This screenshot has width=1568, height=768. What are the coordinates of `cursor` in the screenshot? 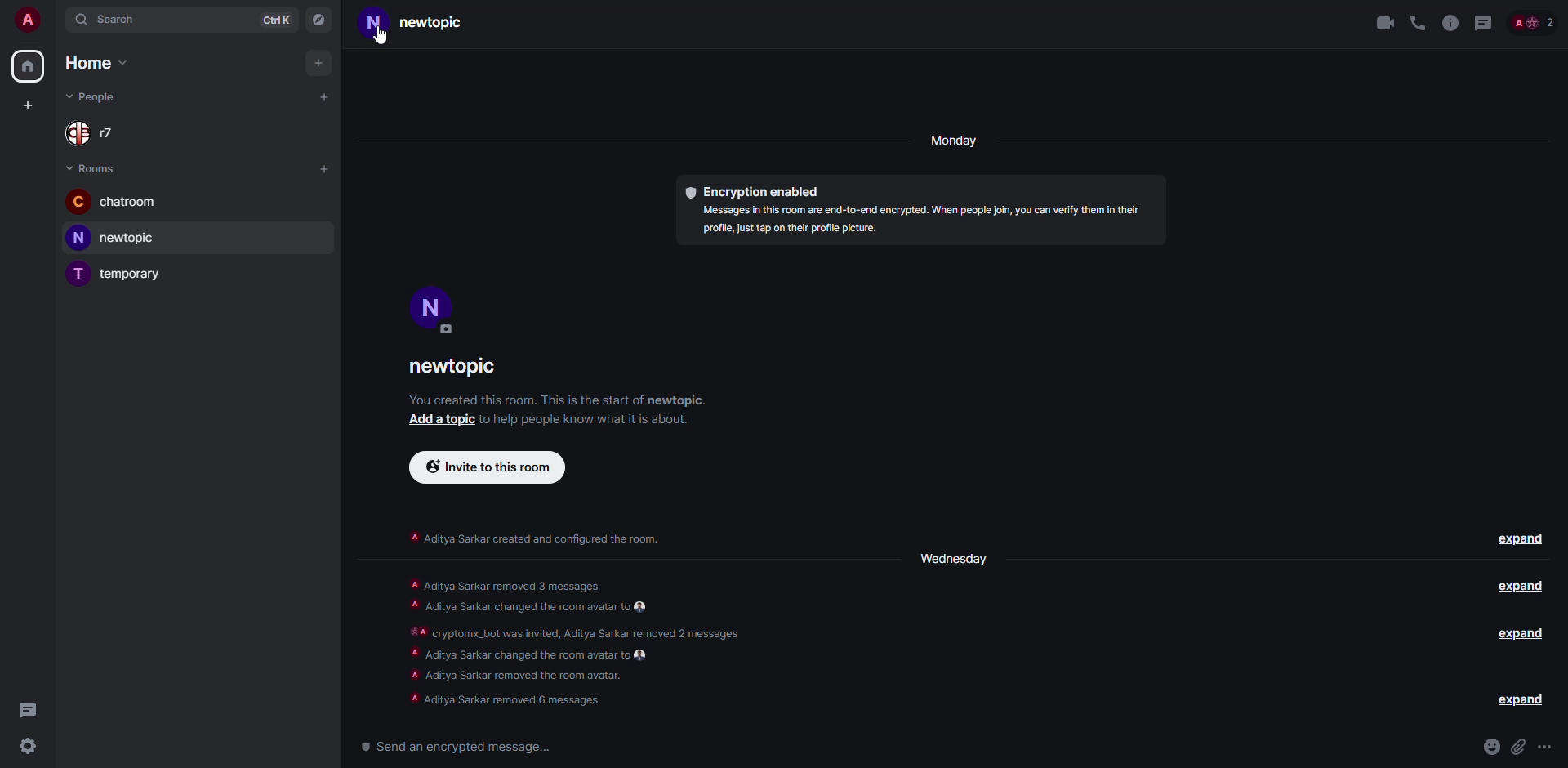 It's located at (383, 43).